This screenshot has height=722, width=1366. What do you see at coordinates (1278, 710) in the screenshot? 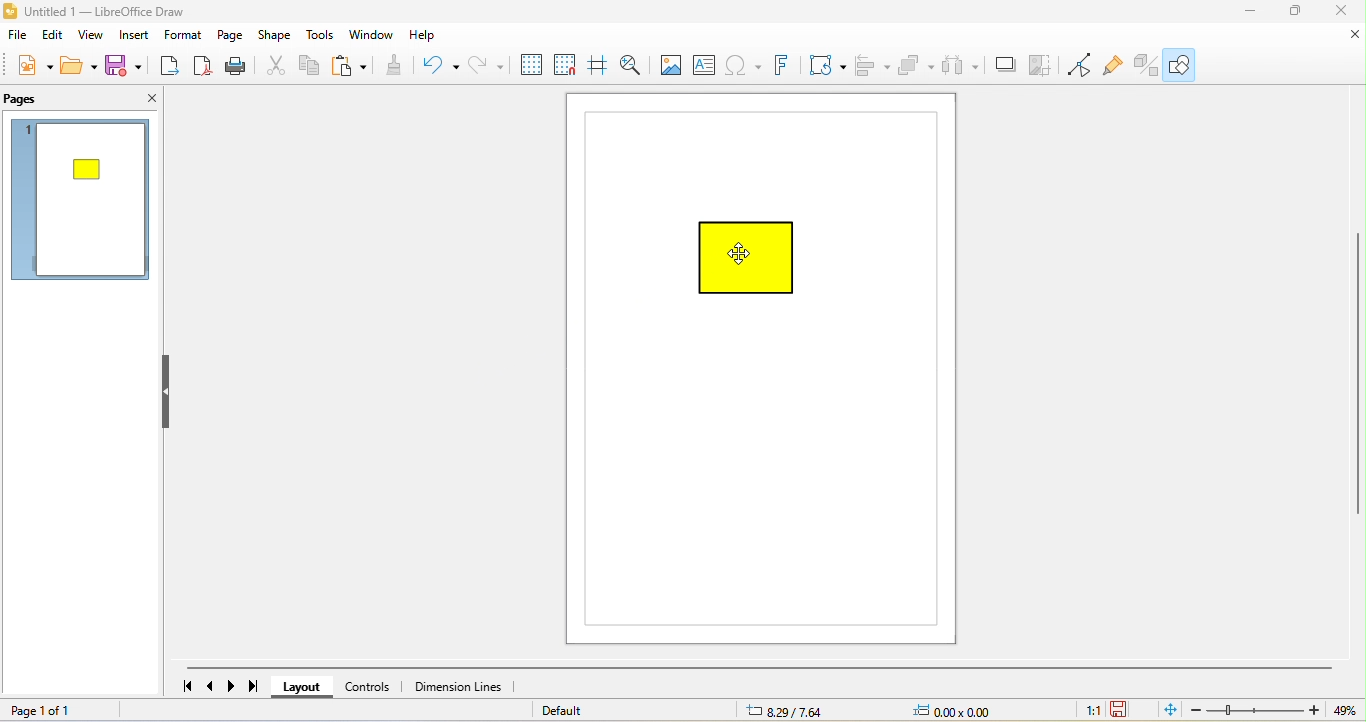
I see `zoom` at bounding box center [1278, 710].